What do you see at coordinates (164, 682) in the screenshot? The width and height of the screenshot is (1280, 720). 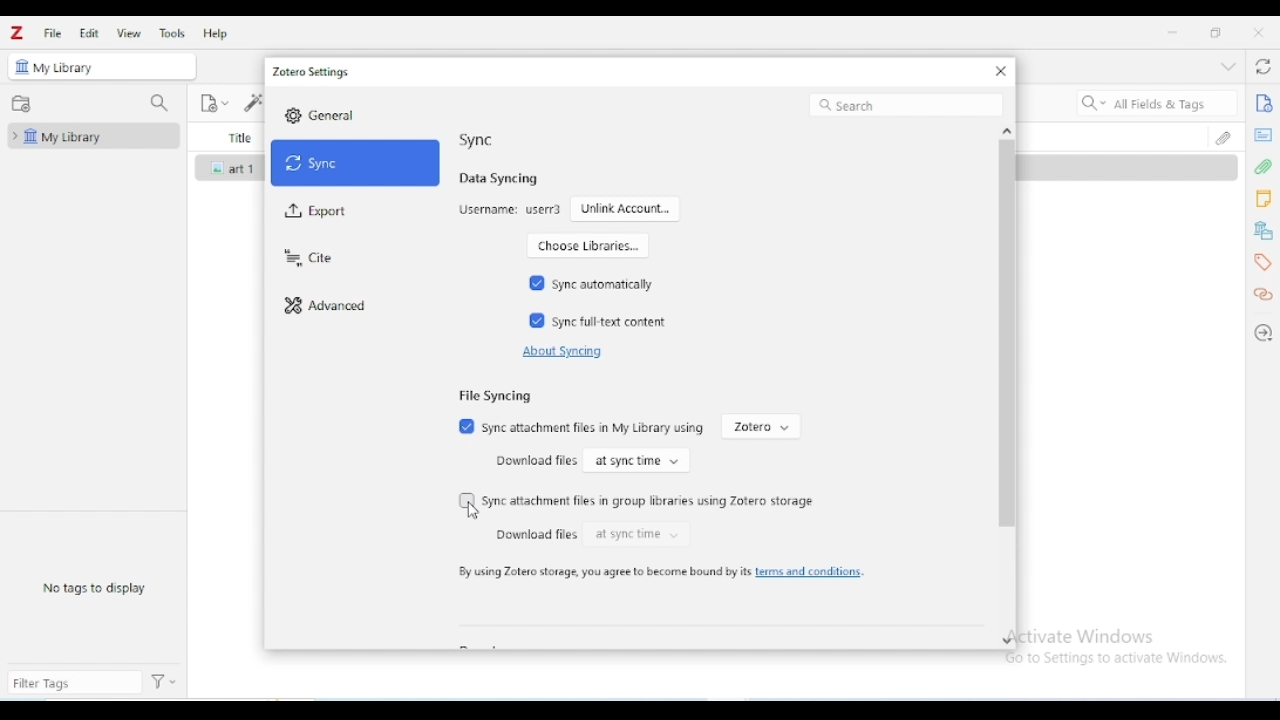 I see `actions` at bounding box center [164, 682].